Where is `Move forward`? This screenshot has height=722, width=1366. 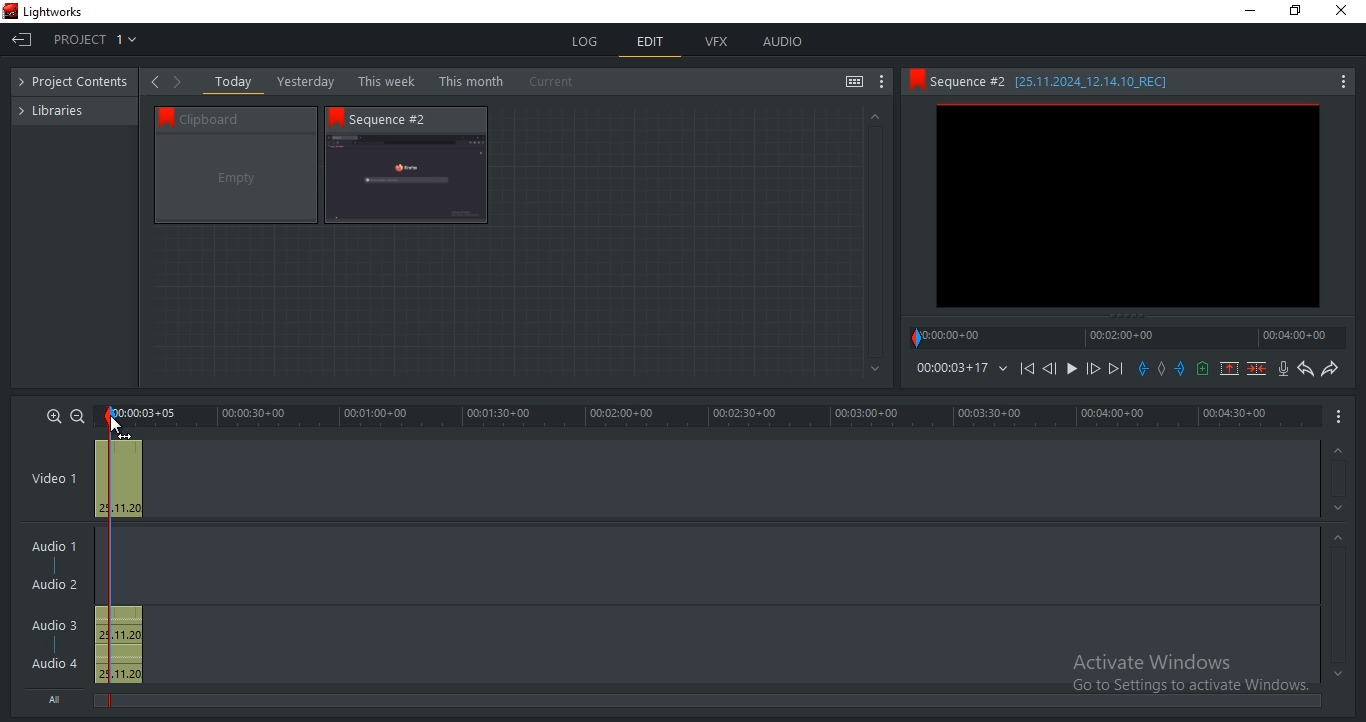
Move forward is located at coordinates (1115, 369).